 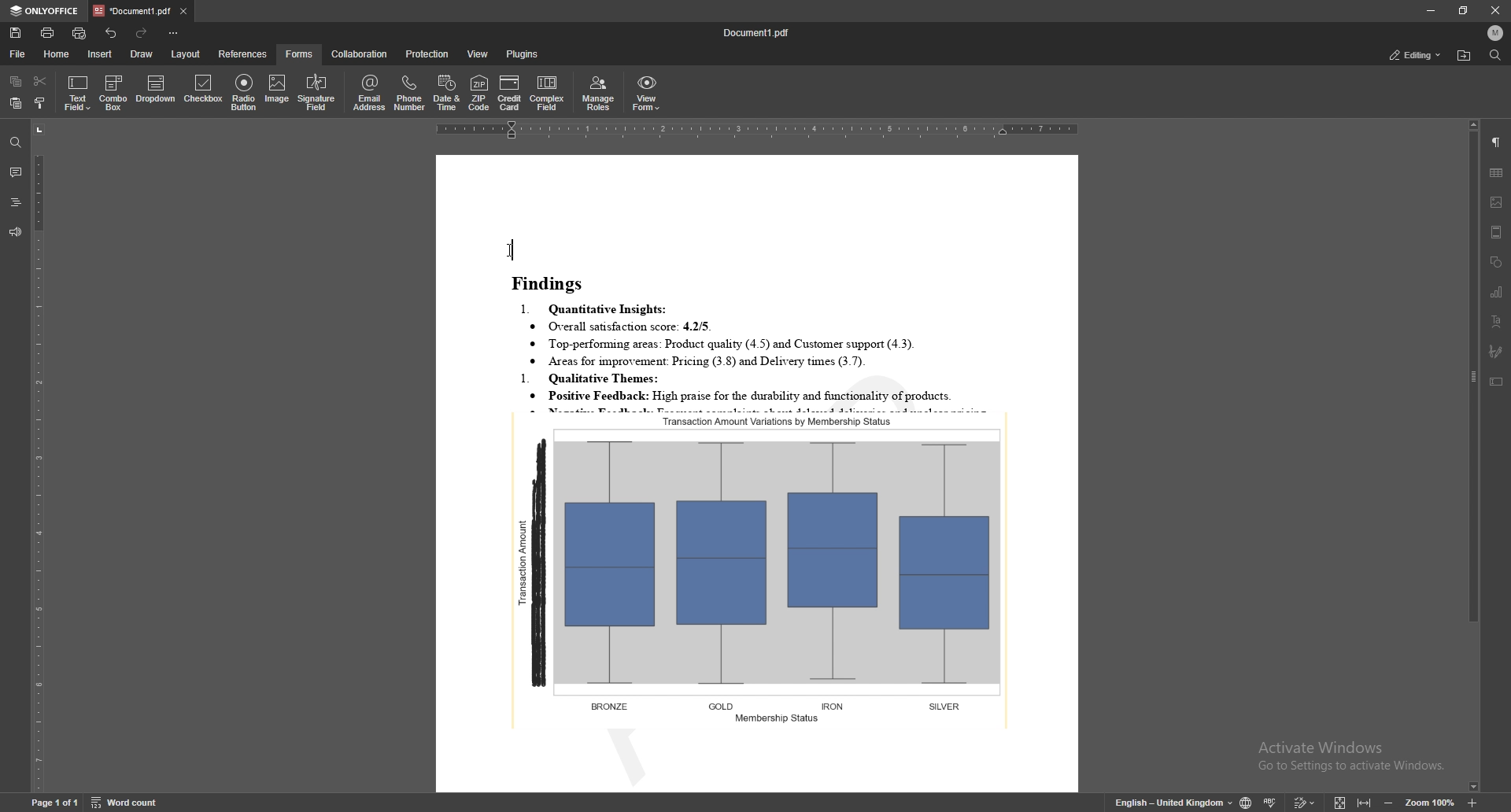 I want to click on zoom 100%, so click(x=1432, y=804).